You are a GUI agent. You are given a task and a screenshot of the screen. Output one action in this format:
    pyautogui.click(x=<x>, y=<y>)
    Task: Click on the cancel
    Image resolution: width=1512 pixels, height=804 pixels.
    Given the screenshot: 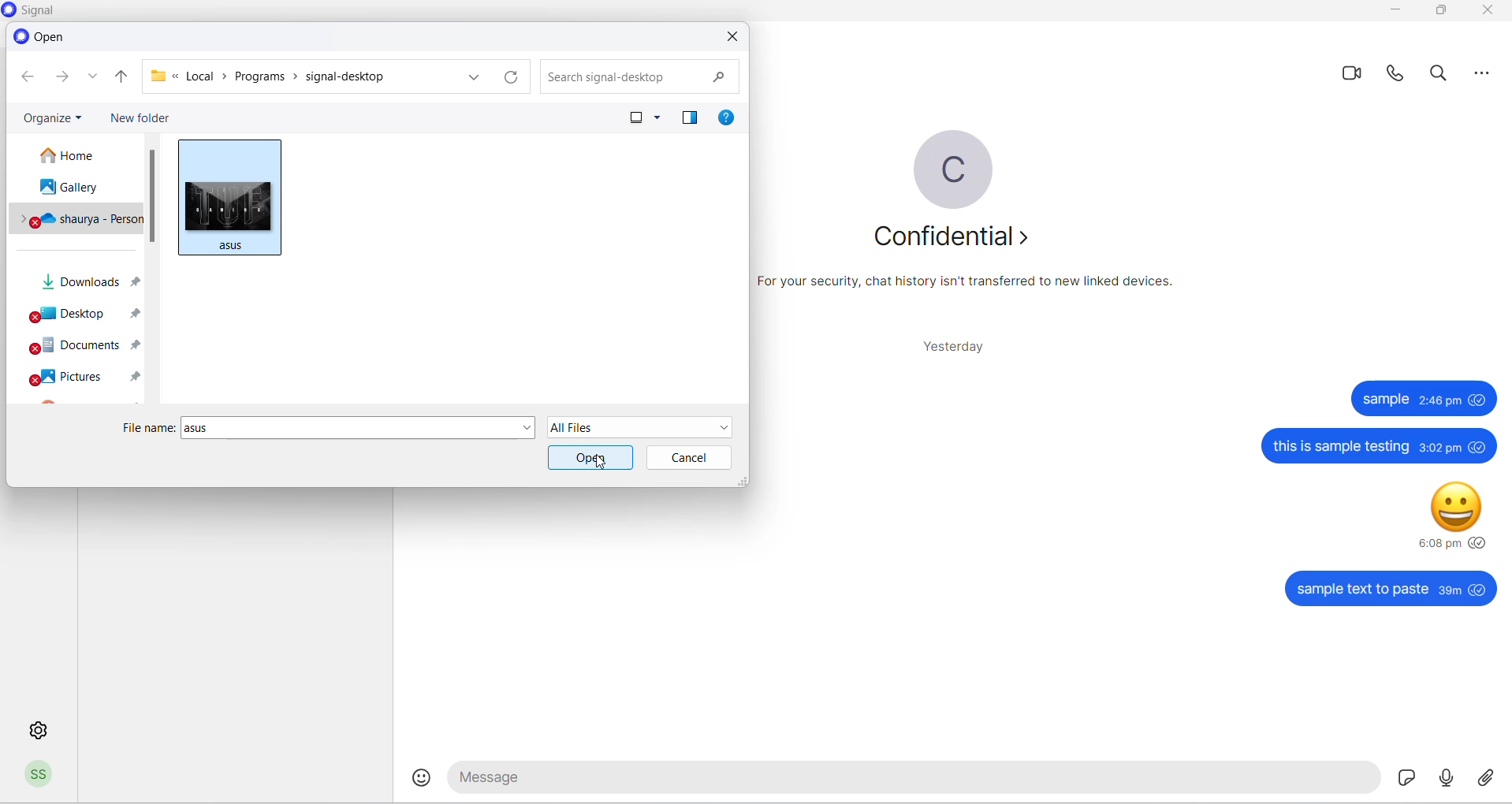 What is the action you would take?
    pyautogui.click(x=688, y=457)
    